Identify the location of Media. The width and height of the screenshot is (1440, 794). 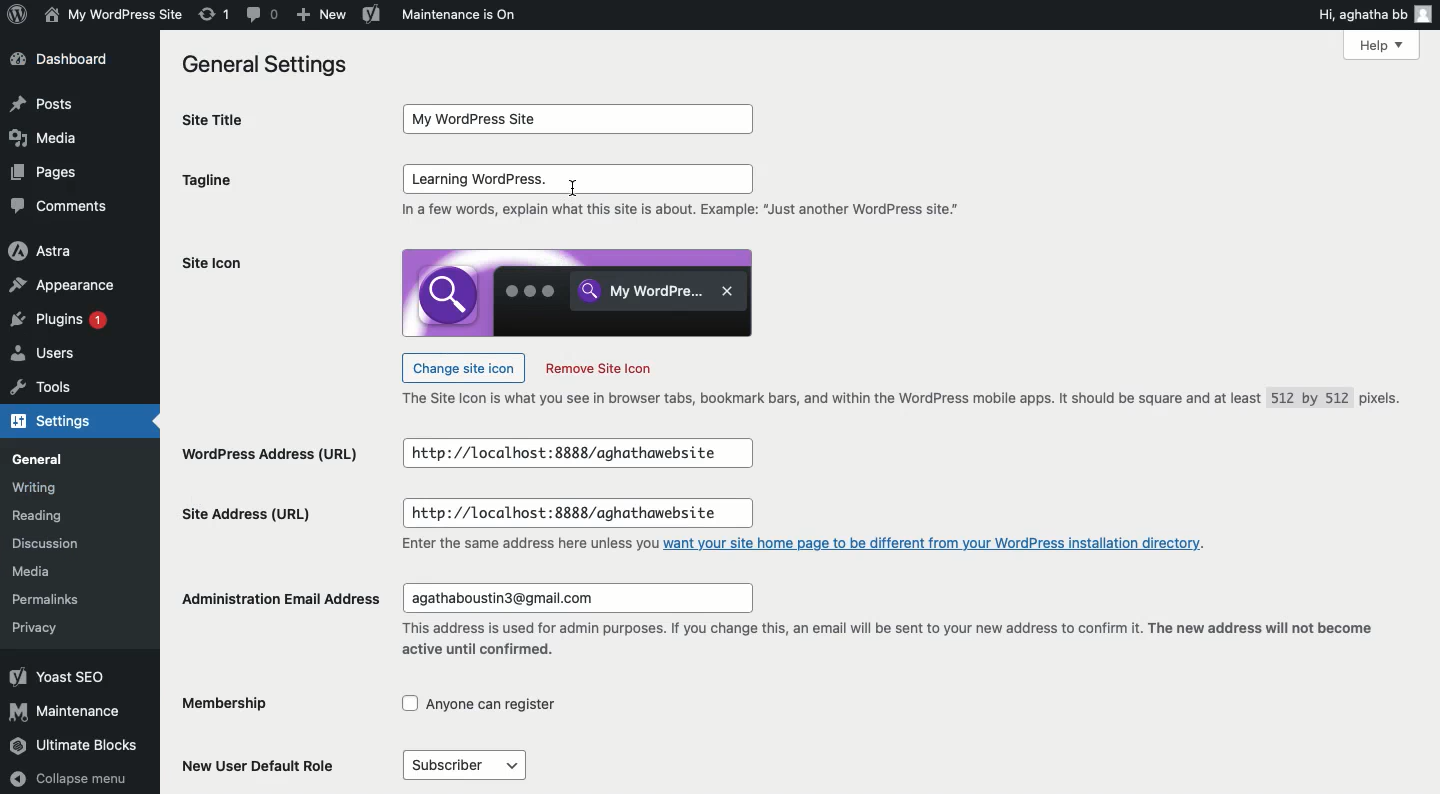
(37, 572).